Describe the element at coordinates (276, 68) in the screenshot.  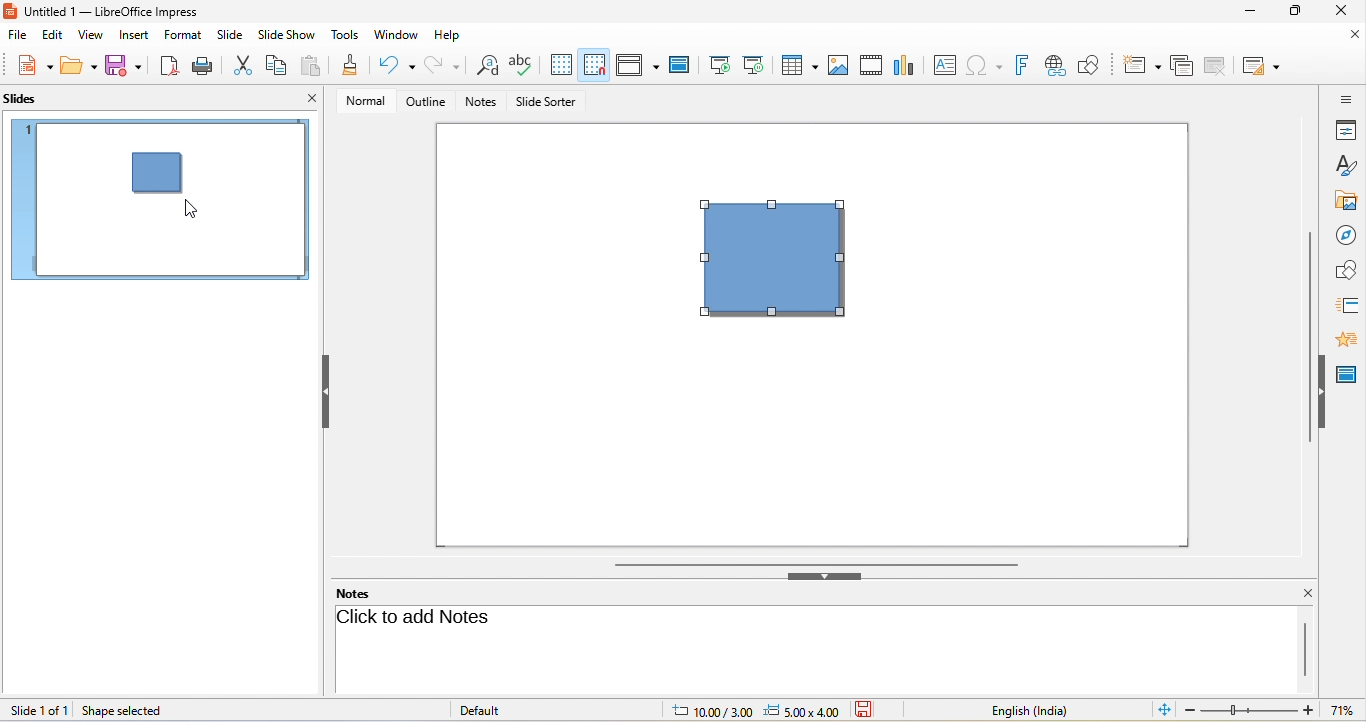
I see `copy` at that location.